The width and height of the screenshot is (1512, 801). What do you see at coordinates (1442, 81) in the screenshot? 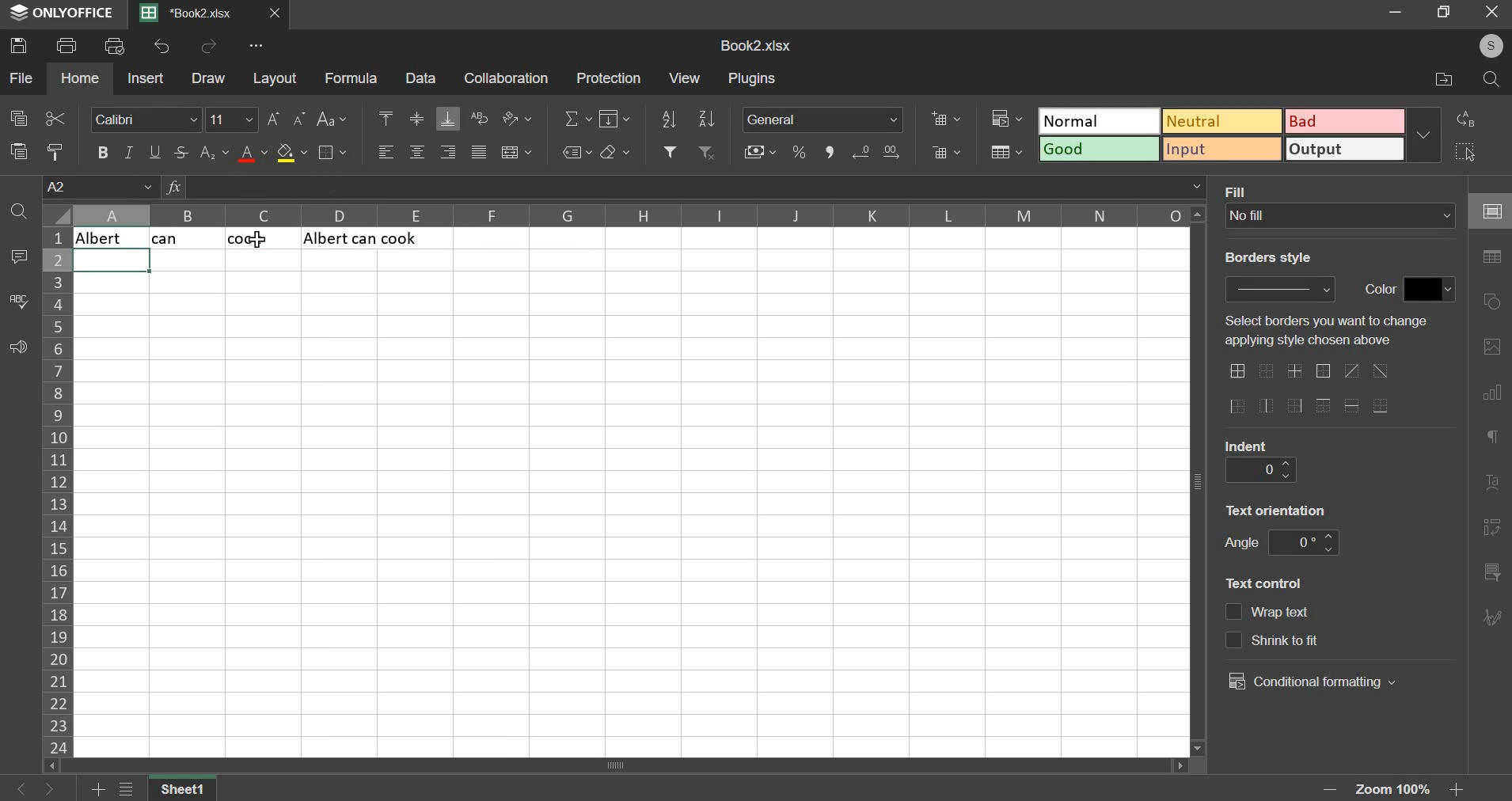
I see `file location` at bounding box center [1442, 81].